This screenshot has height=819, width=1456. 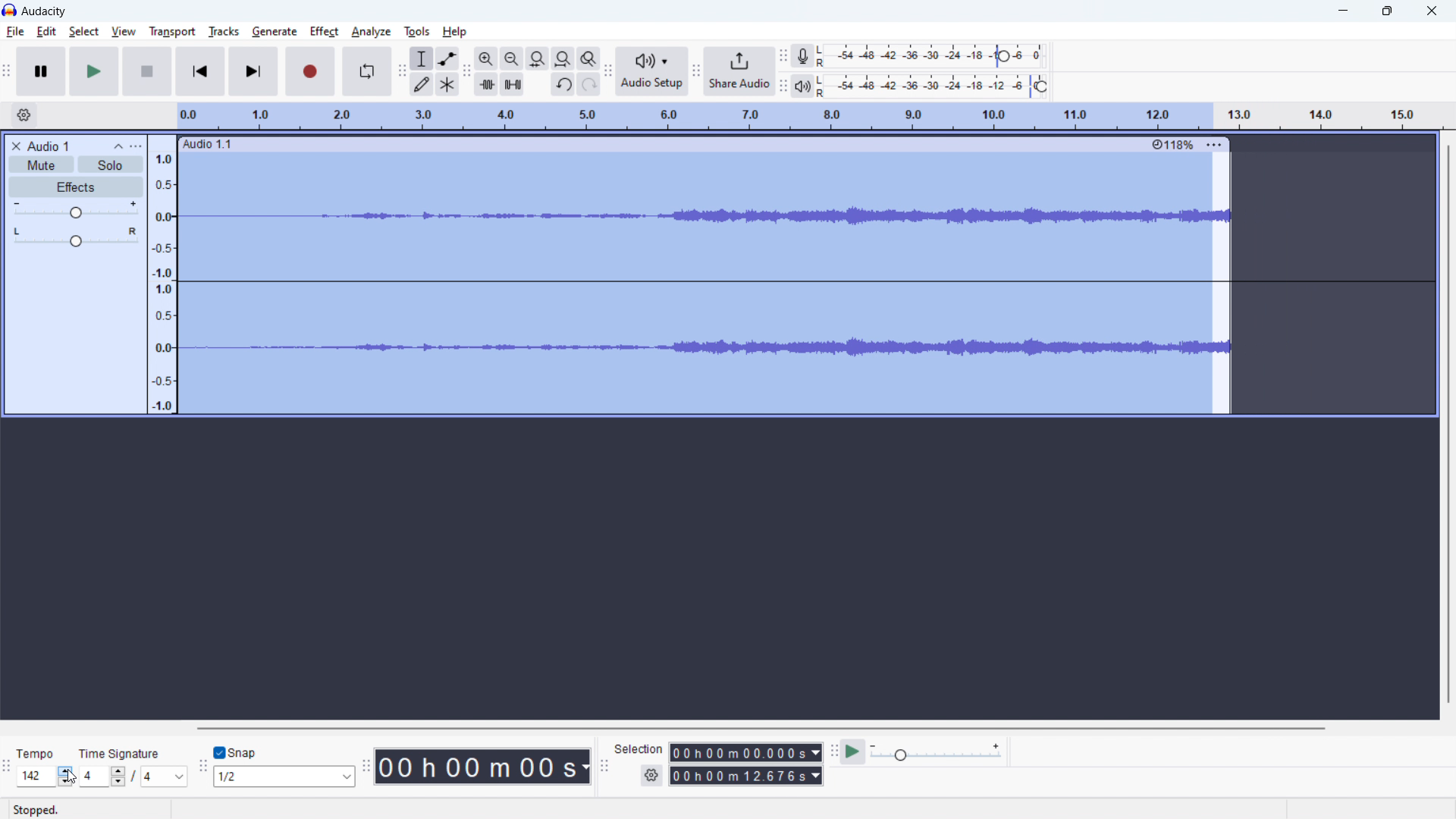 I want to click on geberate, so click(x=274, y=32).